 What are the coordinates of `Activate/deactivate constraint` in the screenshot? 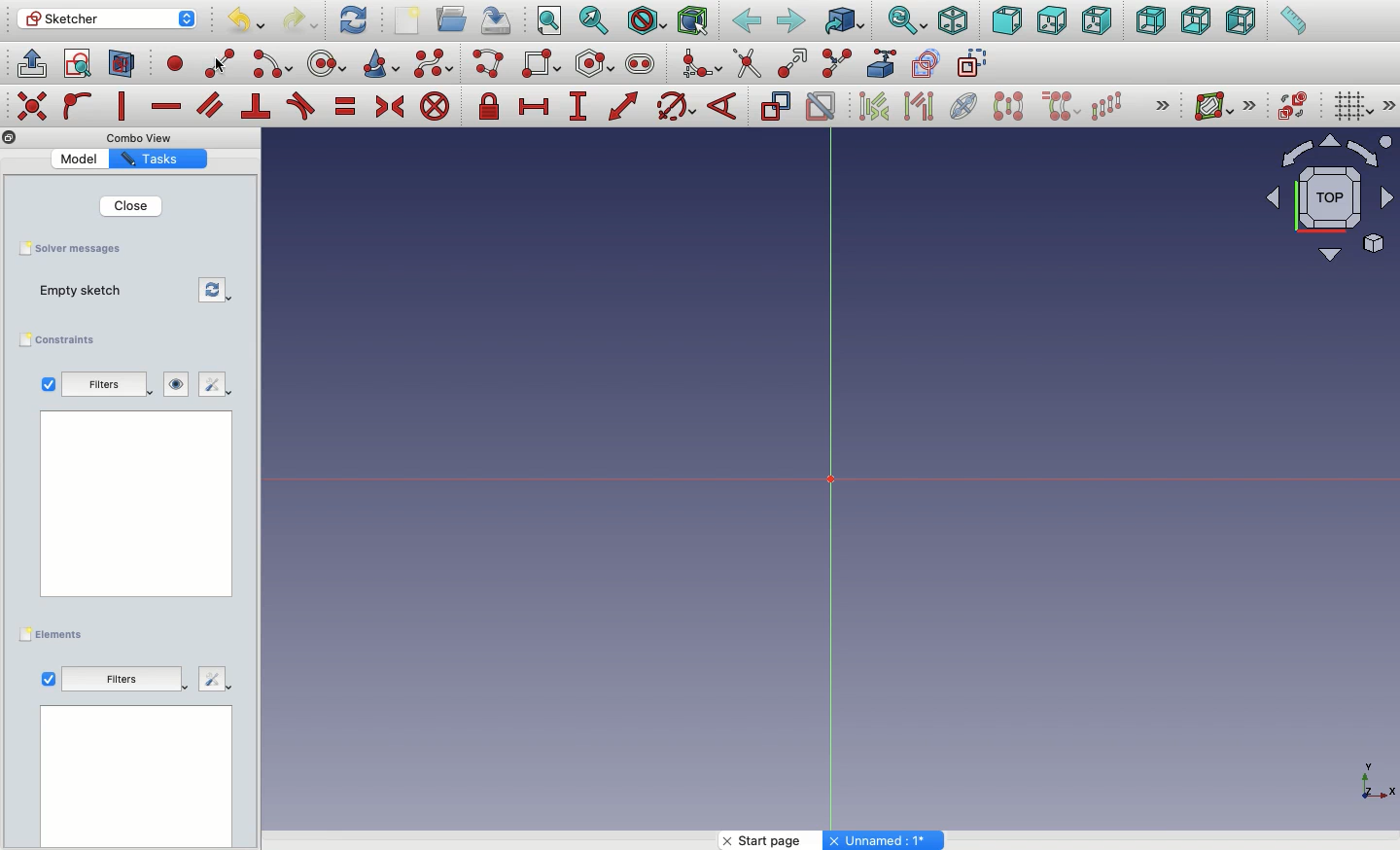 It's located at (822, 106).